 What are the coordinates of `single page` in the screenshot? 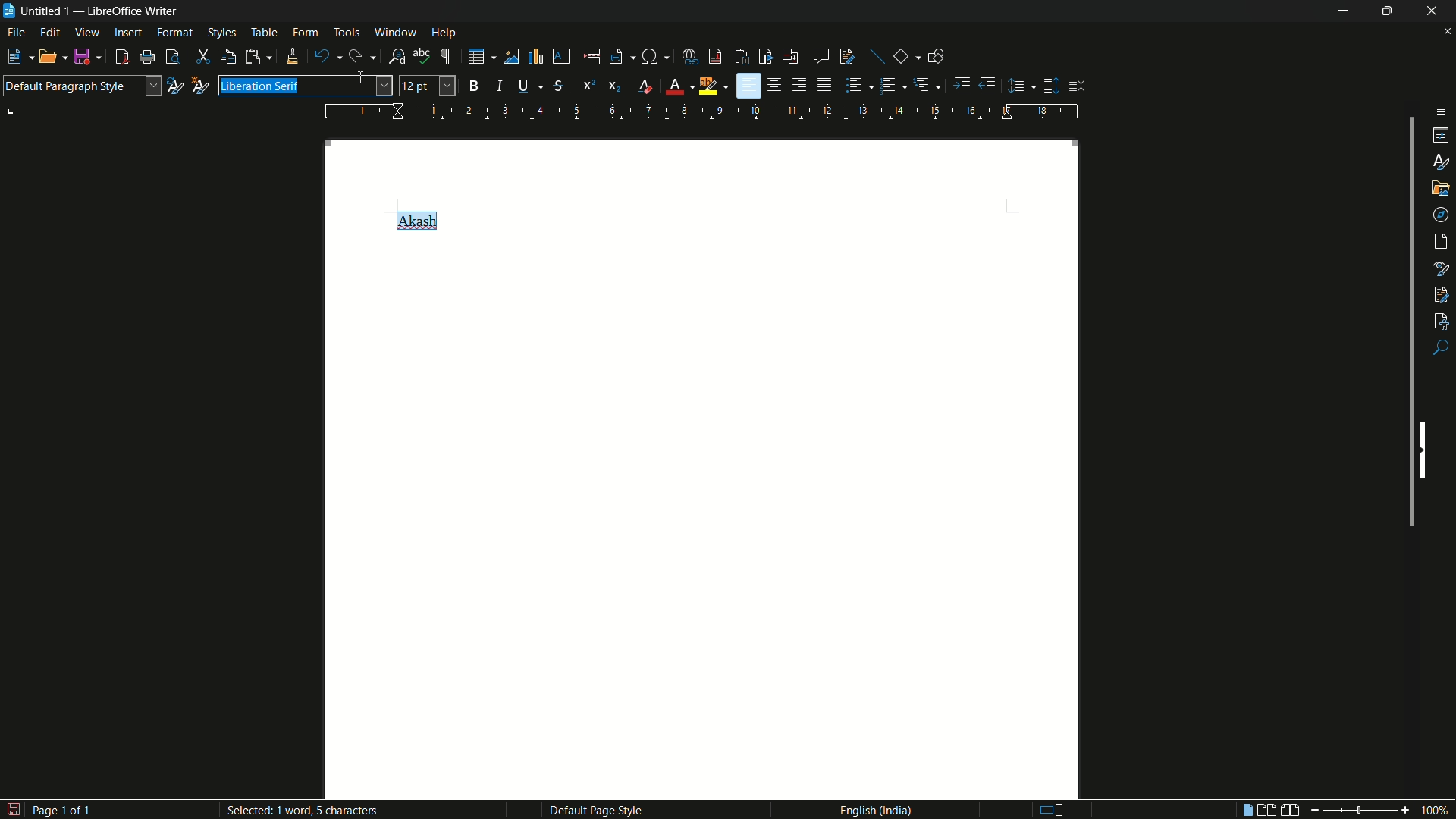 It's located at (1244, 811).